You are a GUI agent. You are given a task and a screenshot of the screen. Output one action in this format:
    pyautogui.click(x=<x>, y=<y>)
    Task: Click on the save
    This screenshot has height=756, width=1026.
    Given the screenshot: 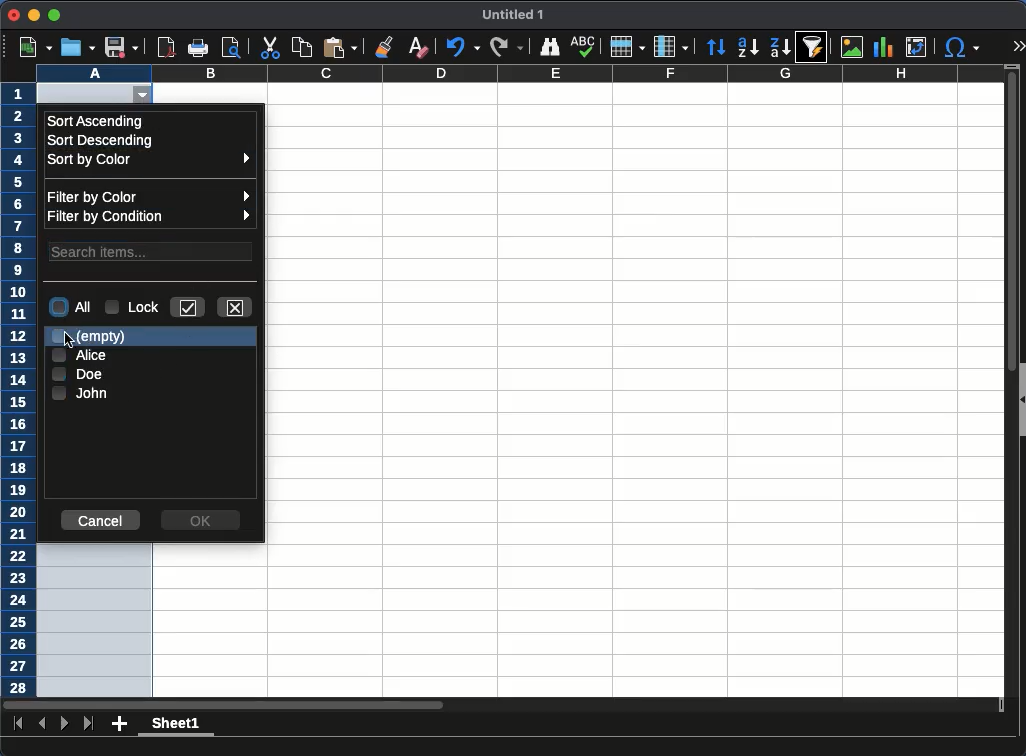 What is the action you would take?
    pyautogui.click(x=120, y=47)
    